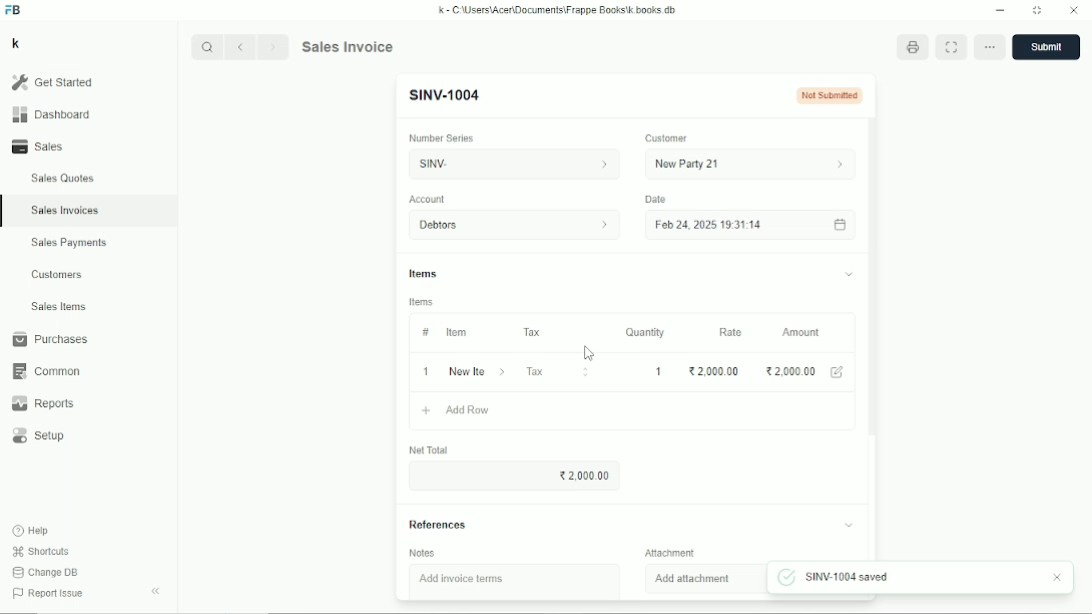 The height and width of the screenshot is (614, 1092). Describe the element at coordinates (558, 371) in the screenshot. I see `Tax` at that location.